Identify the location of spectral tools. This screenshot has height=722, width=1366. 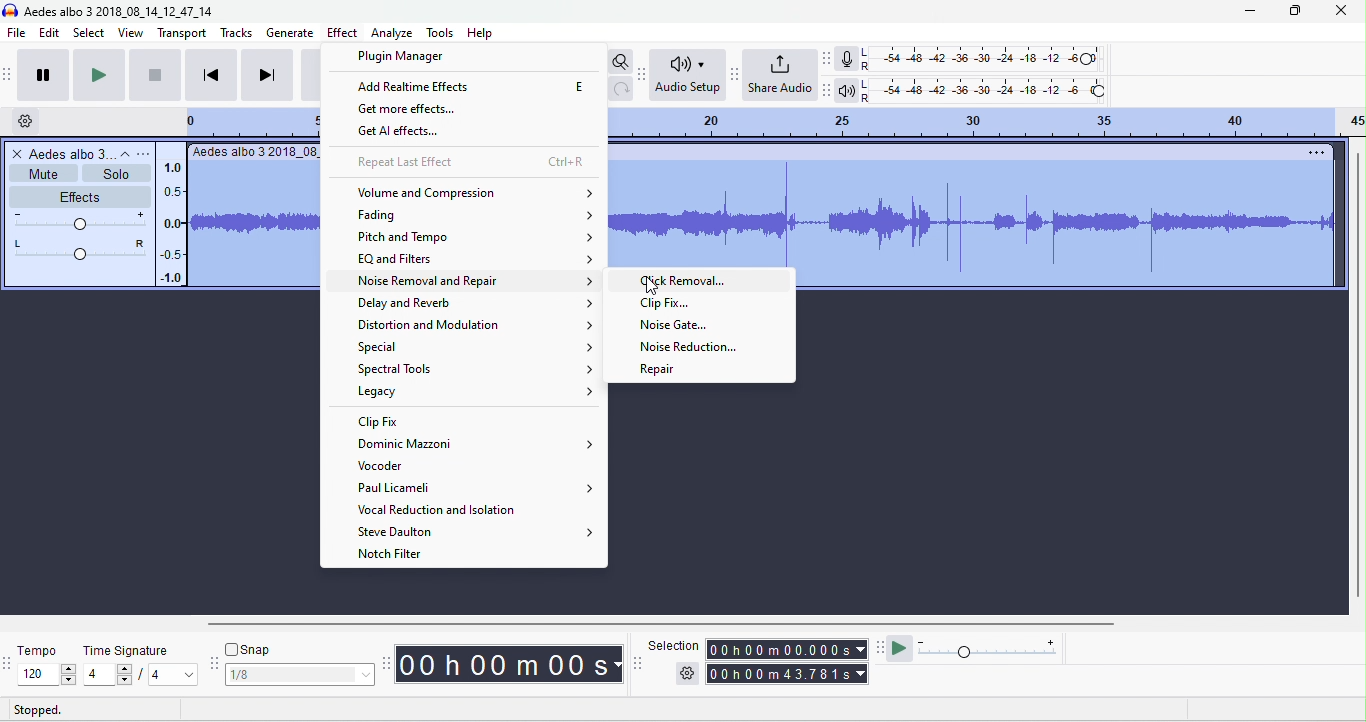
(475, 370).